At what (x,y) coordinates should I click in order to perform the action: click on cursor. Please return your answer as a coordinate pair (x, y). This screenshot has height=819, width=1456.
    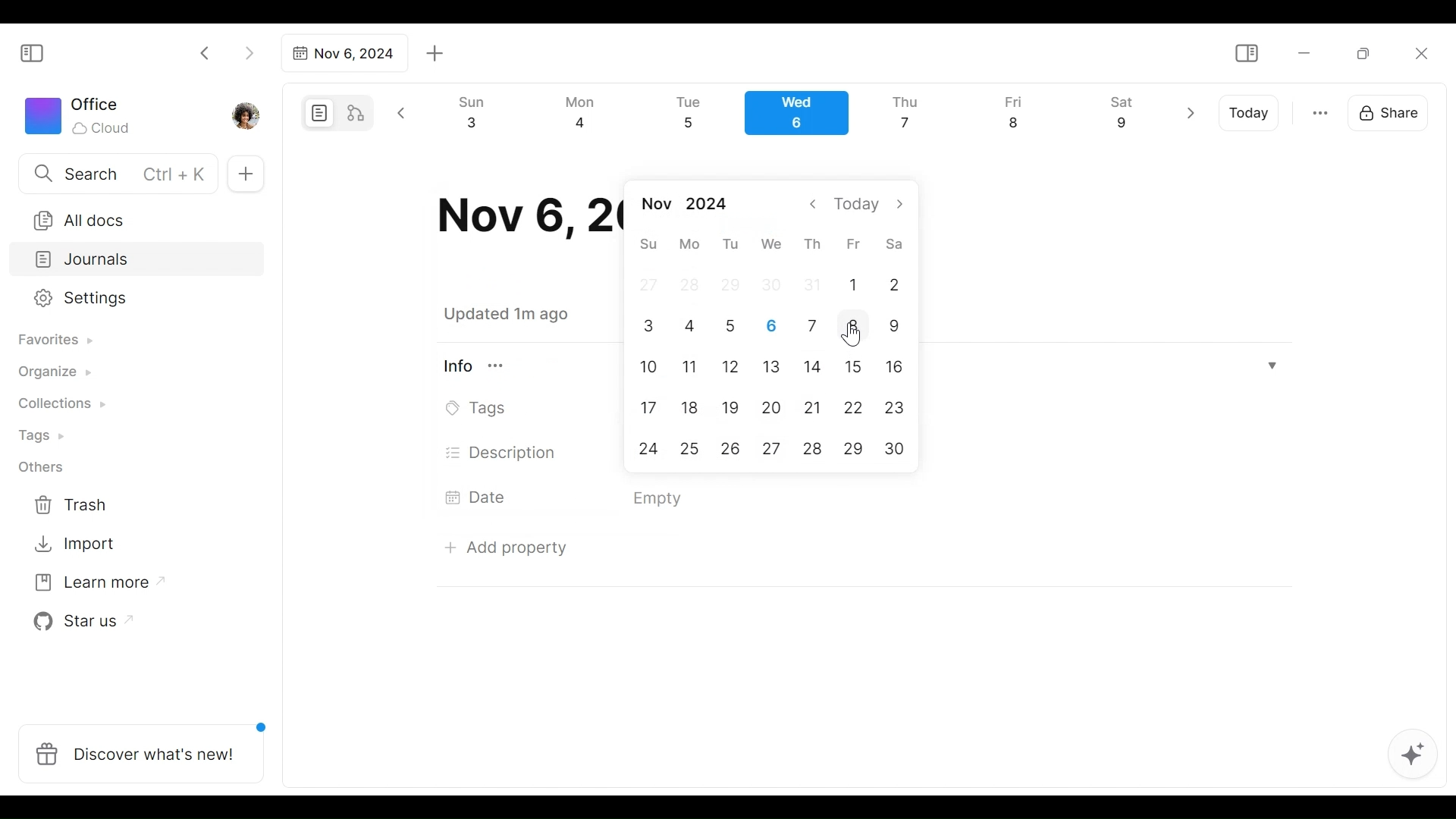
    Looking at the image, I should click on (856, 334).